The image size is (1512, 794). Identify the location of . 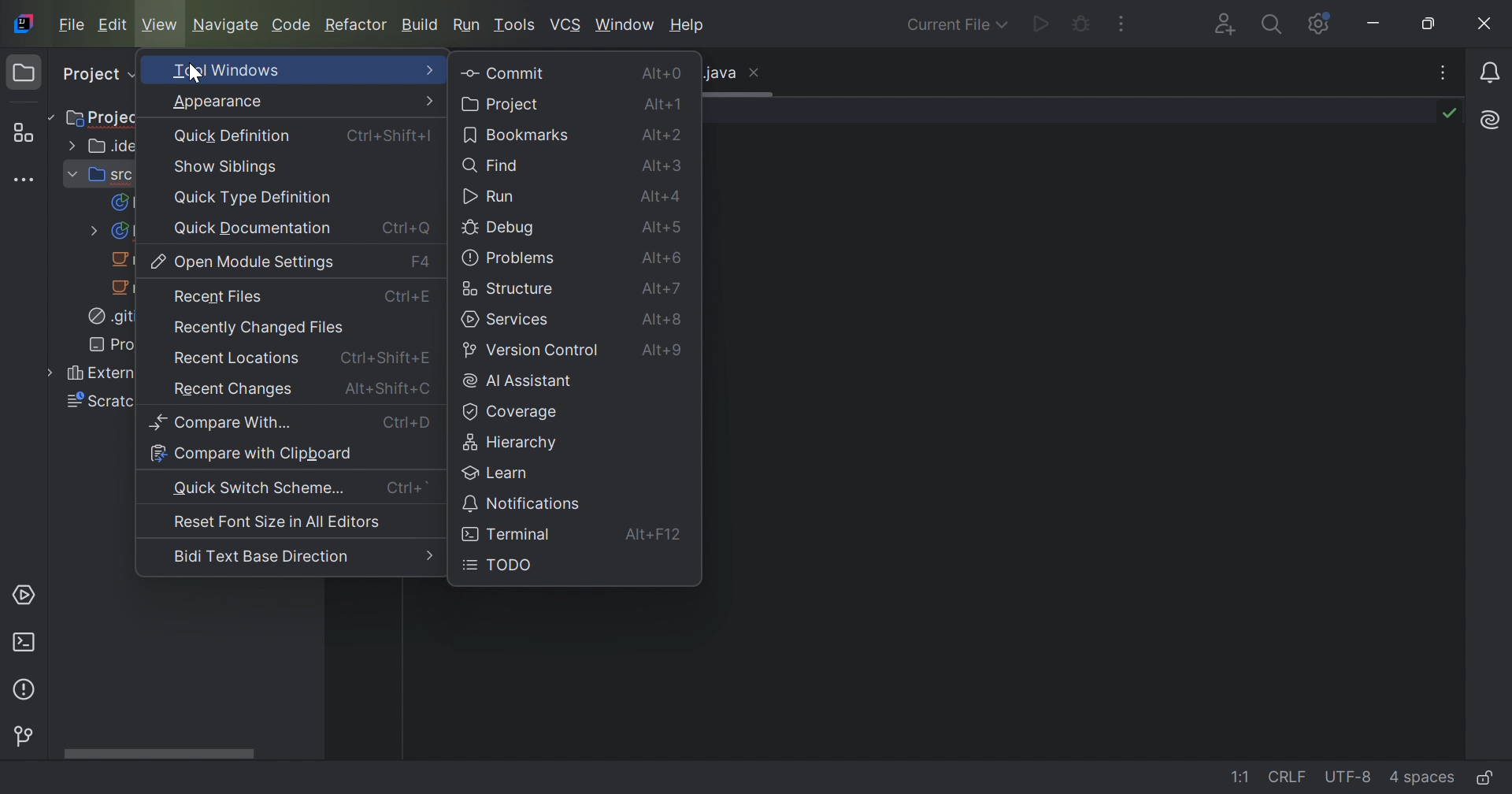
(524, 503).